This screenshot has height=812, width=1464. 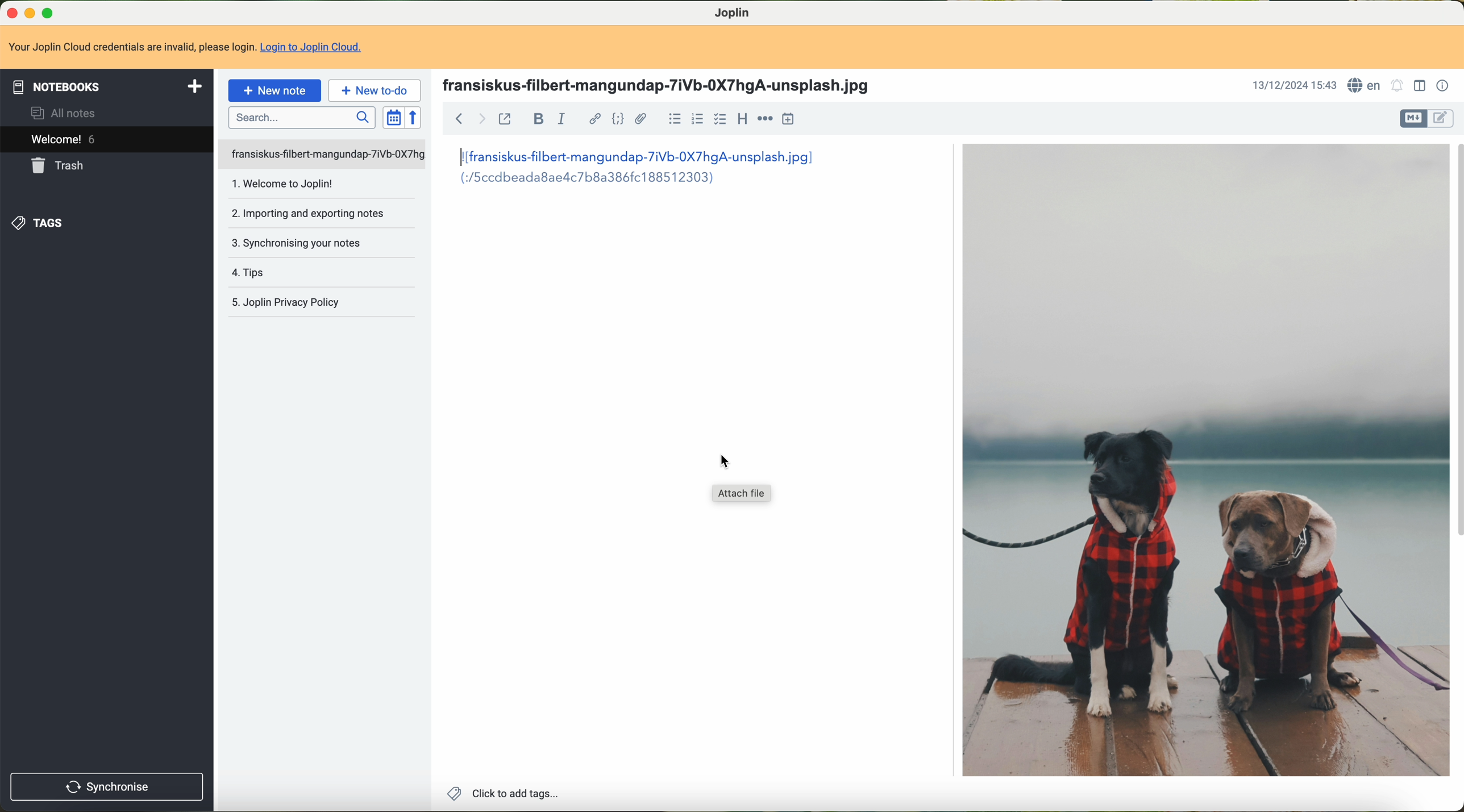 What do you see at coordinates (245, 272) in the screenshot?
I see `tips` at bounding box center [245, 272].